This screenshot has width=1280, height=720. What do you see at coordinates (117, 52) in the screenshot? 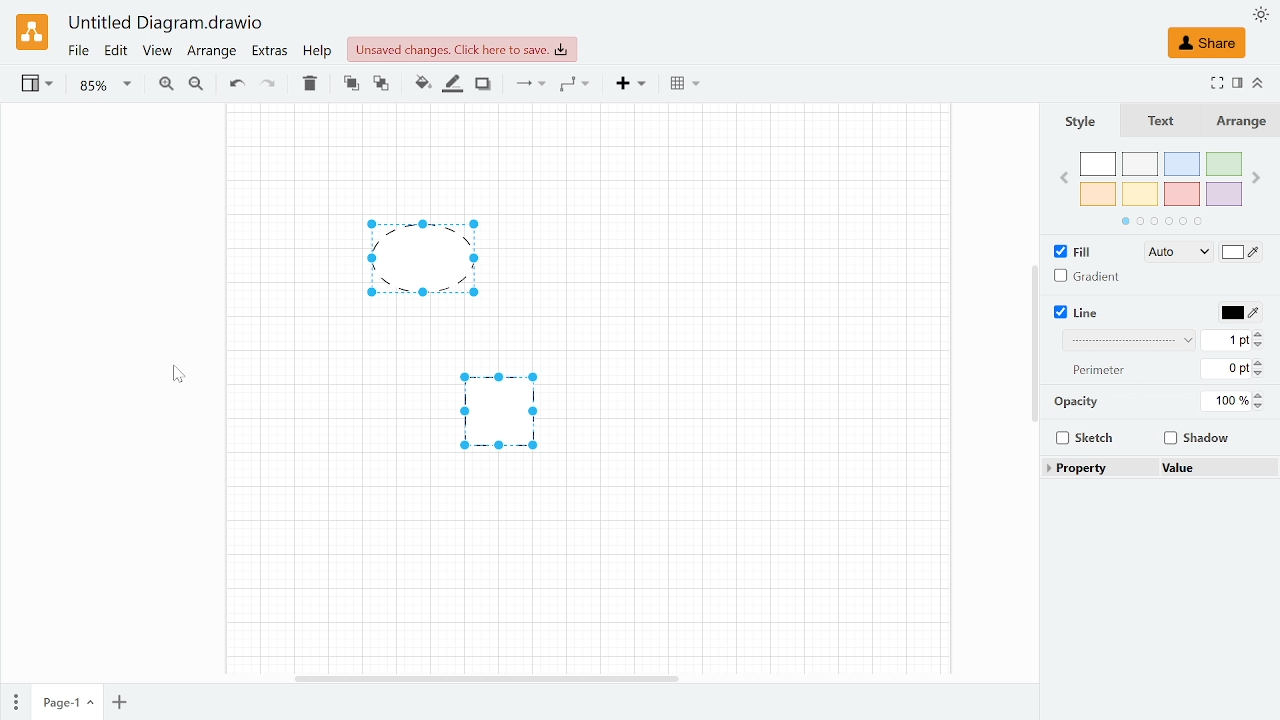
I see `Edit` at bounding box center [117, 52].